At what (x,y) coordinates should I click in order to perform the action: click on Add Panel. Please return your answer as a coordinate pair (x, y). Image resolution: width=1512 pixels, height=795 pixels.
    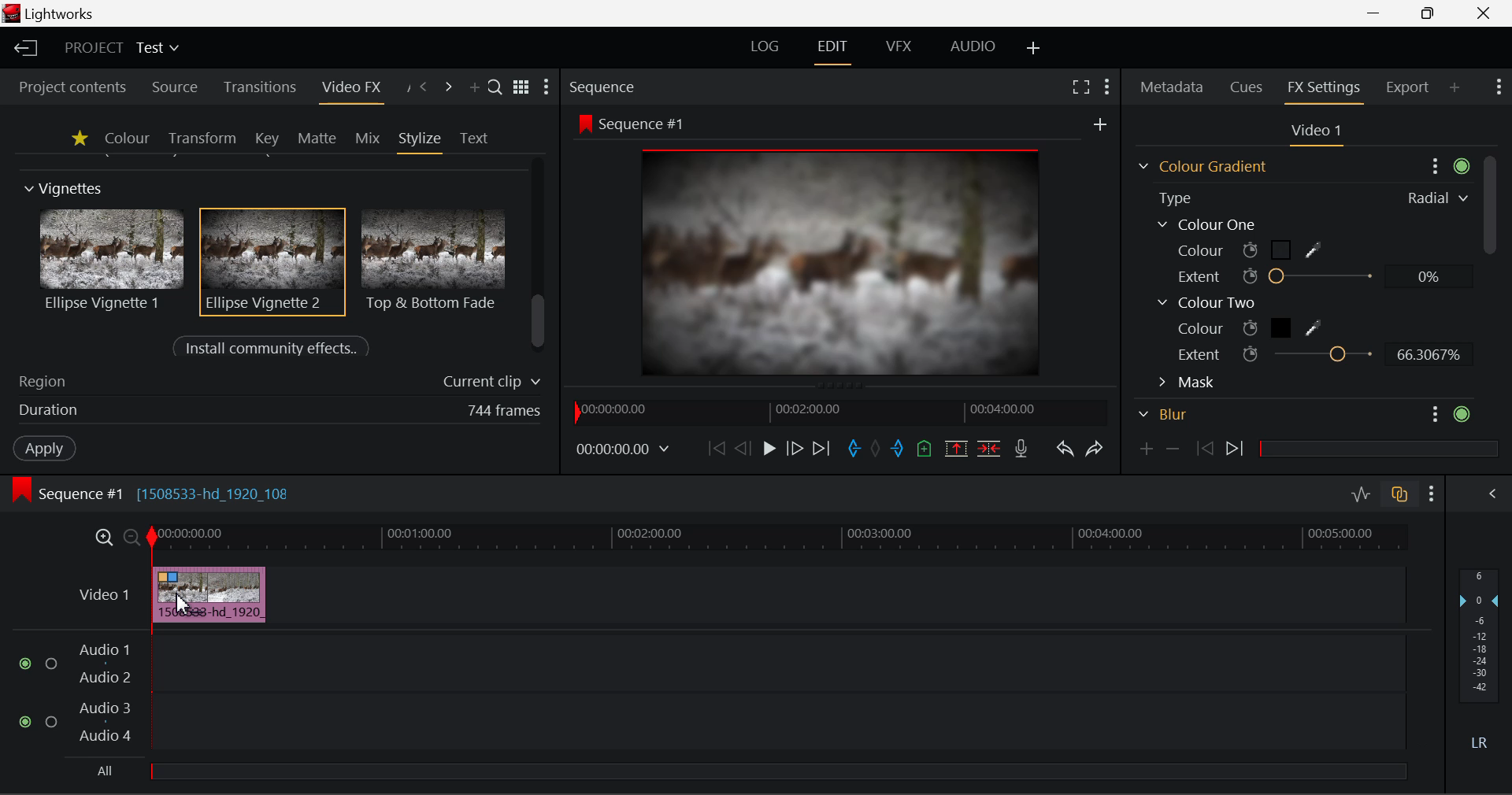
    Looking at the image, I should click on (474, 89).